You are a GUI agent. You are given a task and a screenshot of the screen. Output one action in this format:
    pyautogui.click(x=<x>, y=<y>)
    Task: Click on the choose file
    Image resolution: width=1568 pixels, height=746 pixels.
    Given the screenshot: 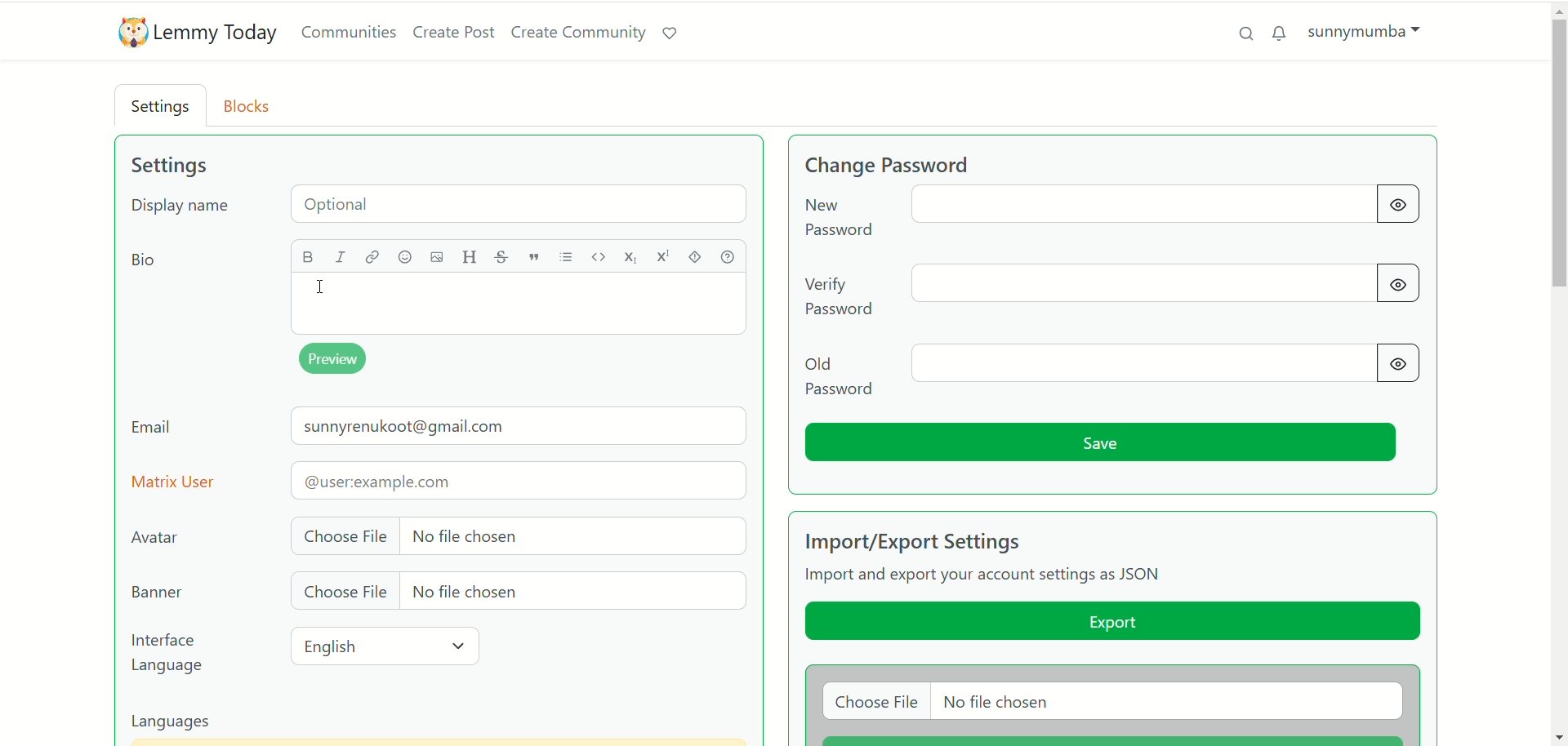 What is the action you would take?
    pyautogui.click(x=514, y=593)
    